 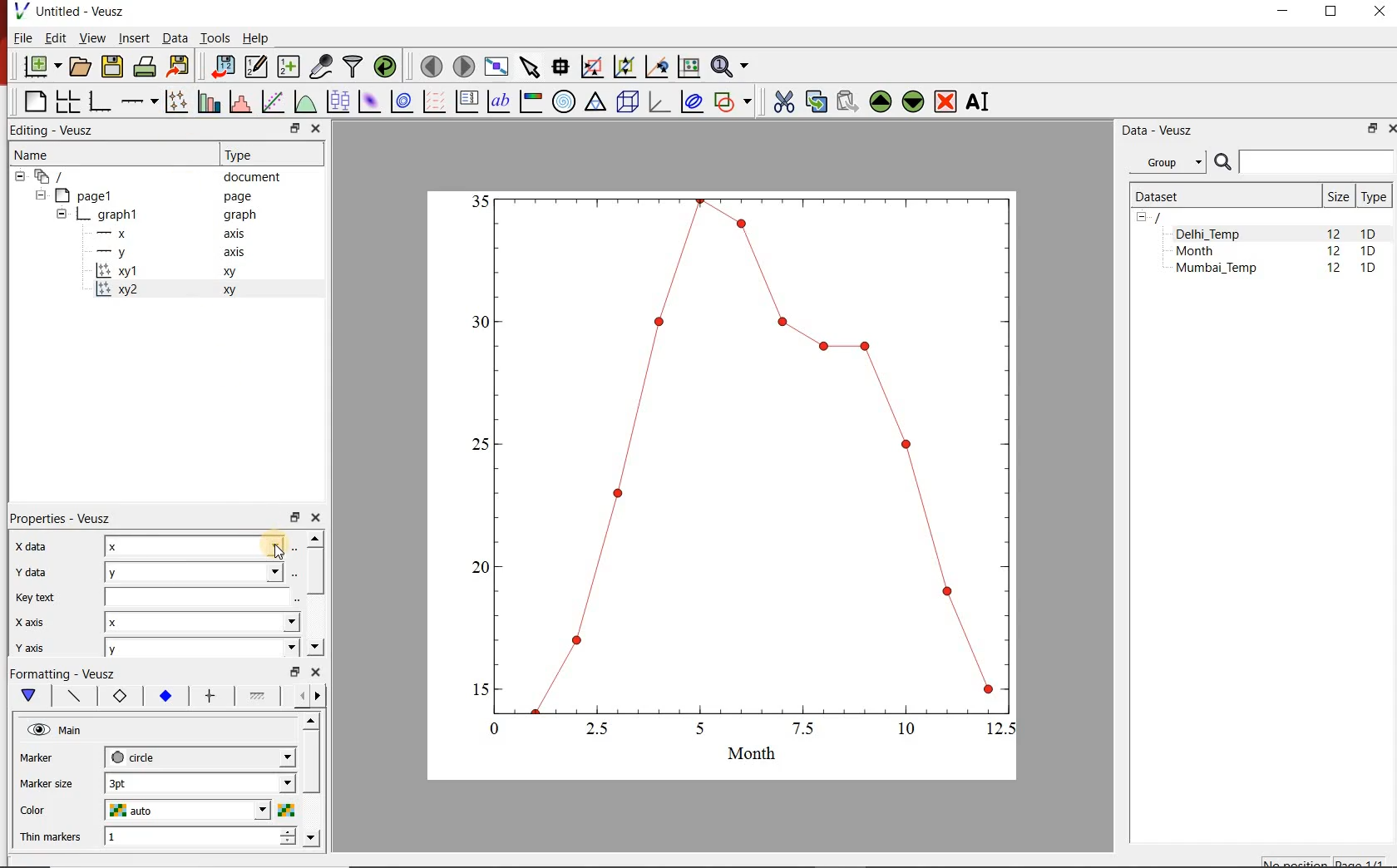 What do you see at coordinates (200, 757) in the screenshot?
I see `circle` at bounding box center [200, 757].